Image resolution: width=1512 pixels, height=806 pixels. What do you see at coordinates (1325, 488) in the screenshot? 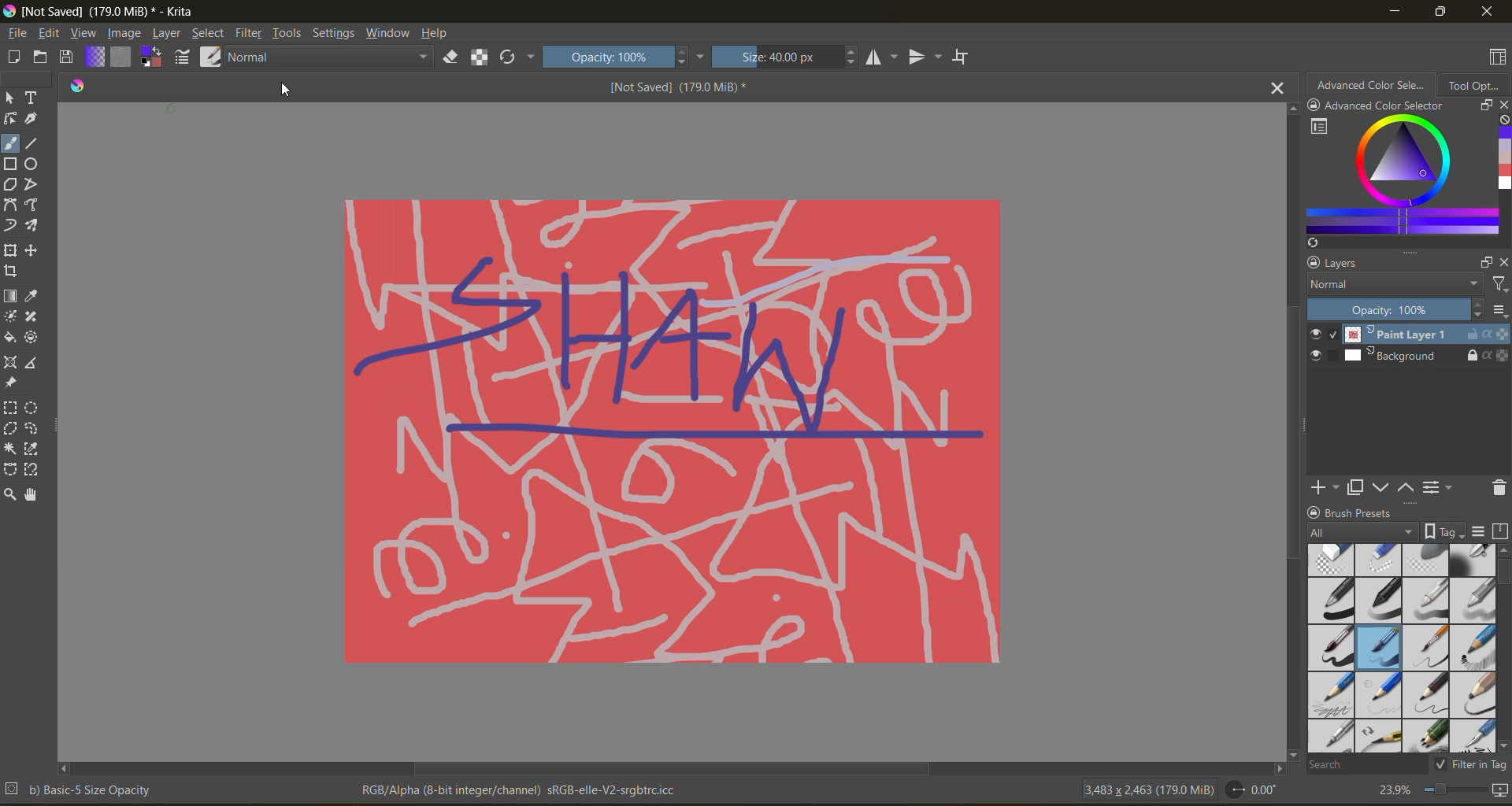
I see `add` at bounding box center [1325, 488].